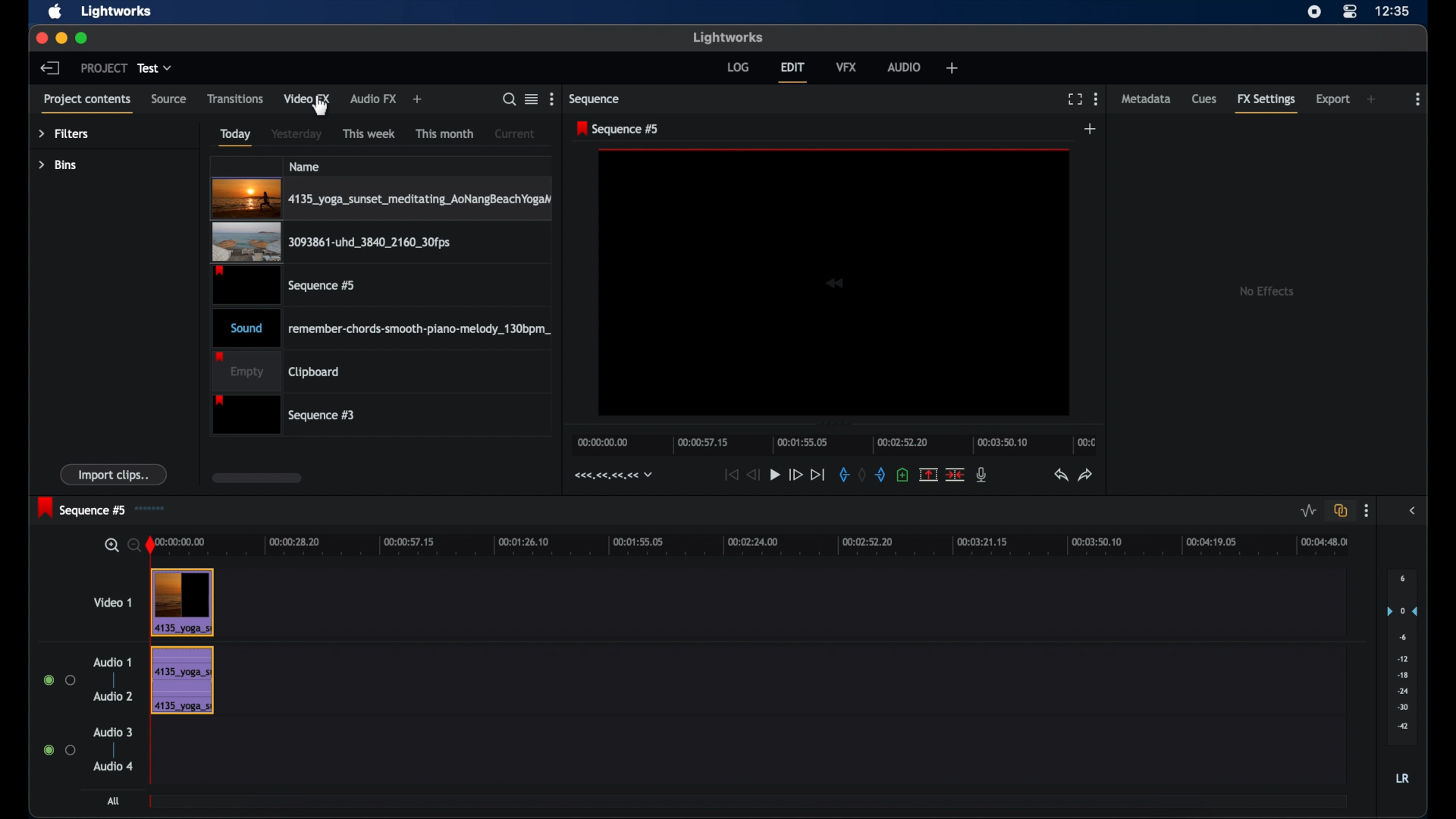 This screenshot has width=1456, height=819. What do you see at coordinates (1264, 292) in the screenshot?
I see `no effects` at bounding box center [1264, 292].